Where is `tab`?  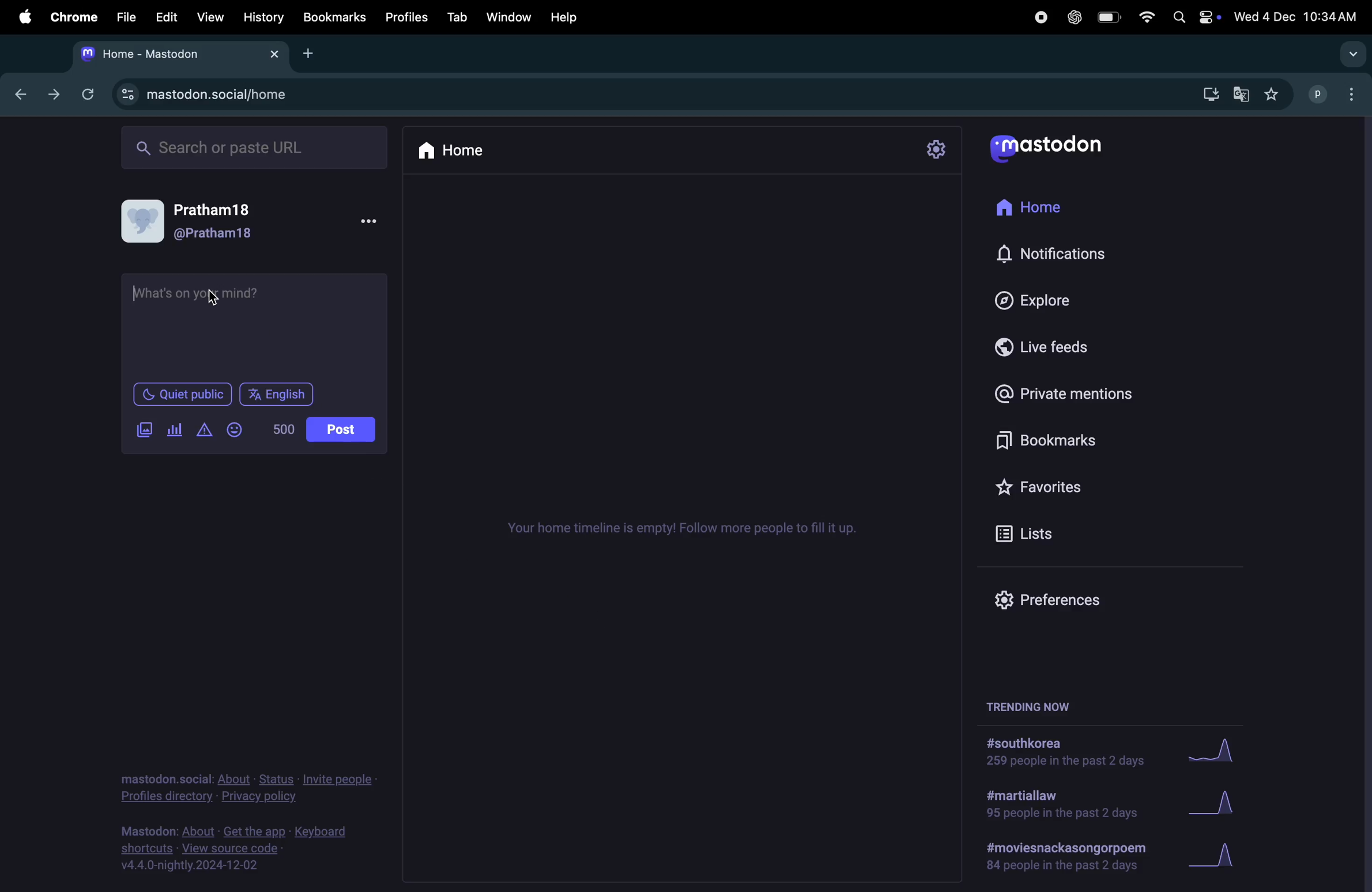
tab is located at coordinates (458, 17).